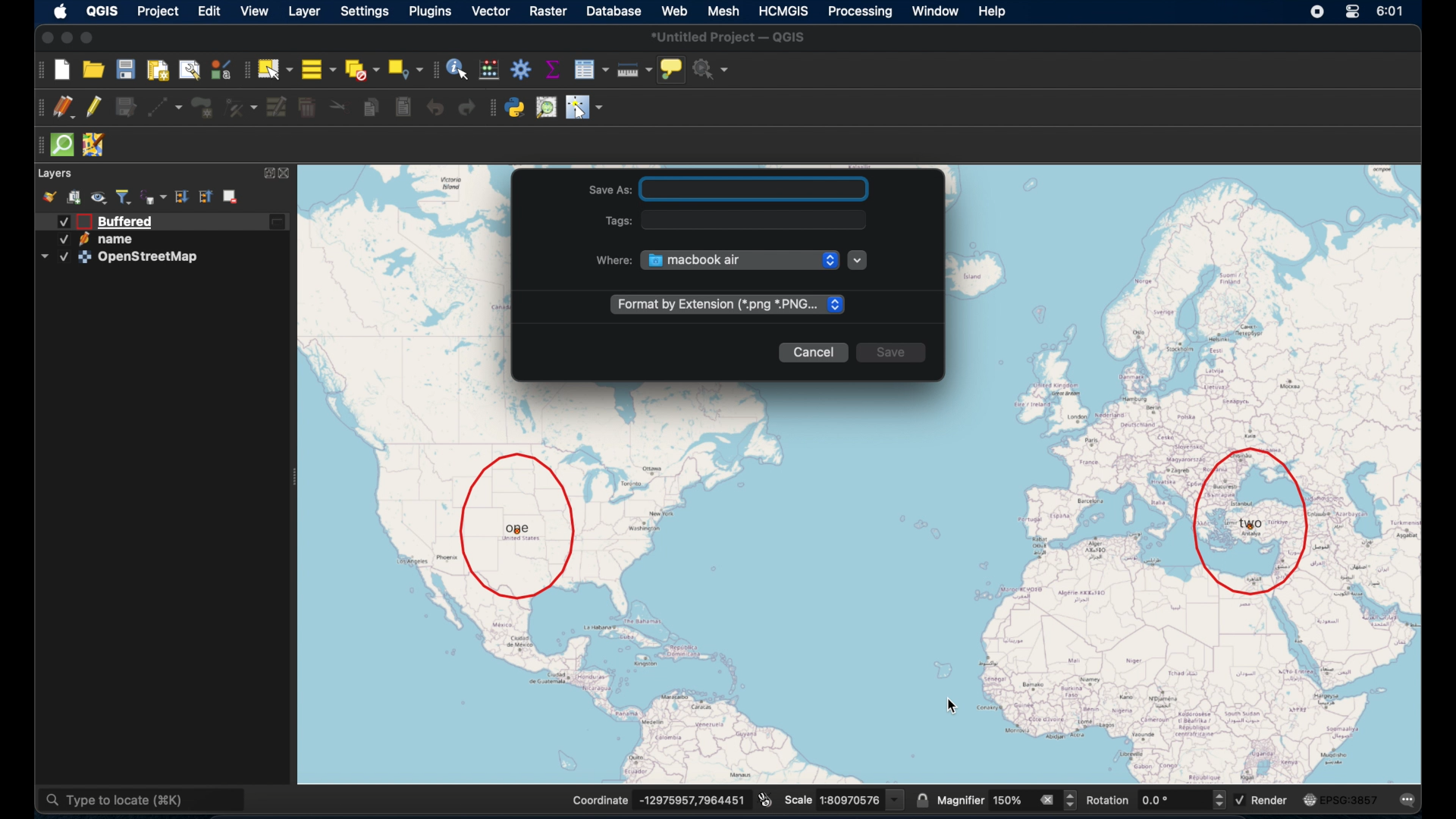  What do you see at coordinates (220, 69) in the screenshot?
I see `style manager` at bounding box center [220, 69].